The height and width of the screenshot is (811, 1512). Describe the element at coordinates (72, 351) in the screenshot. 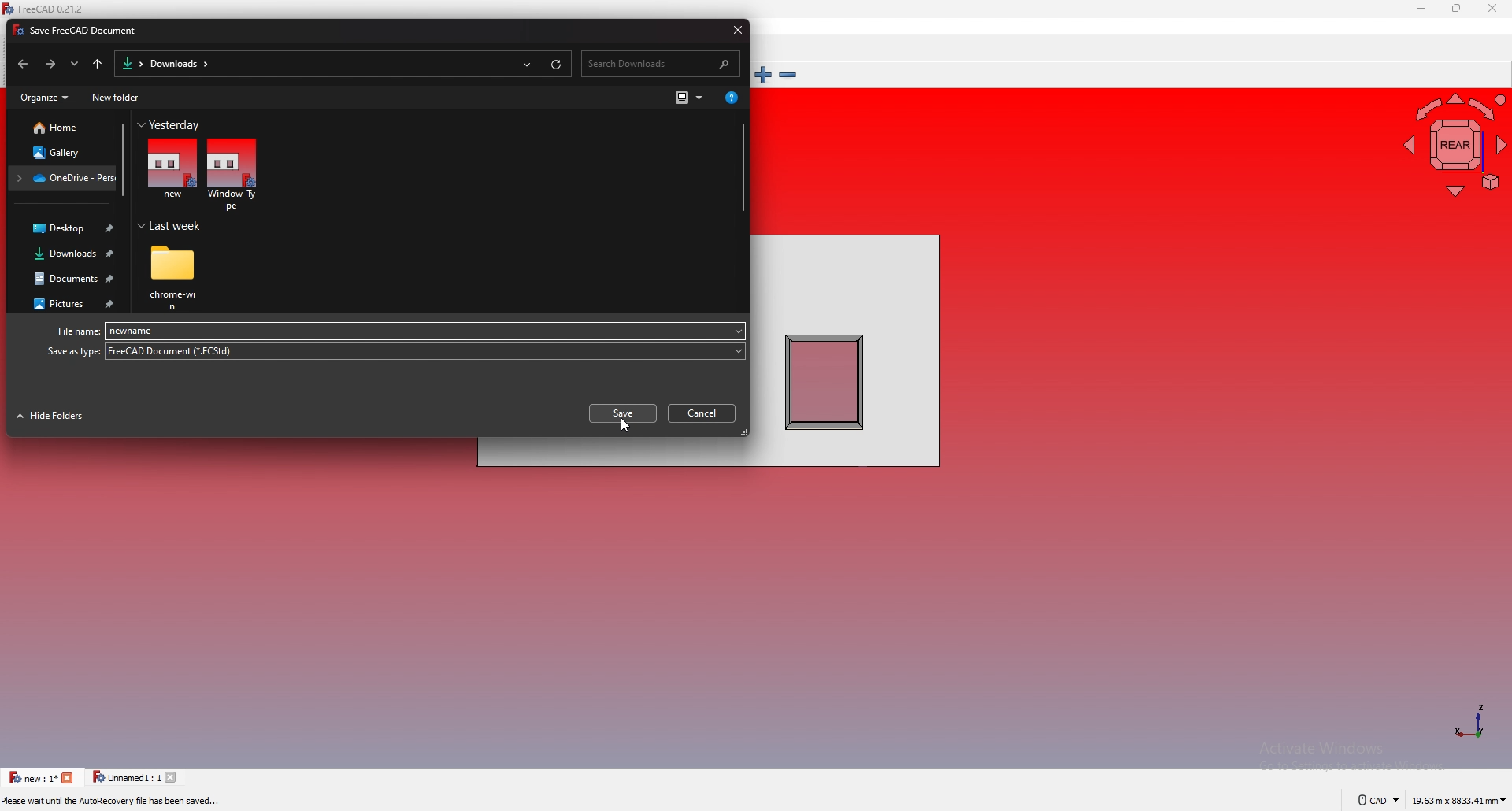

I see `Save as type` at that location.